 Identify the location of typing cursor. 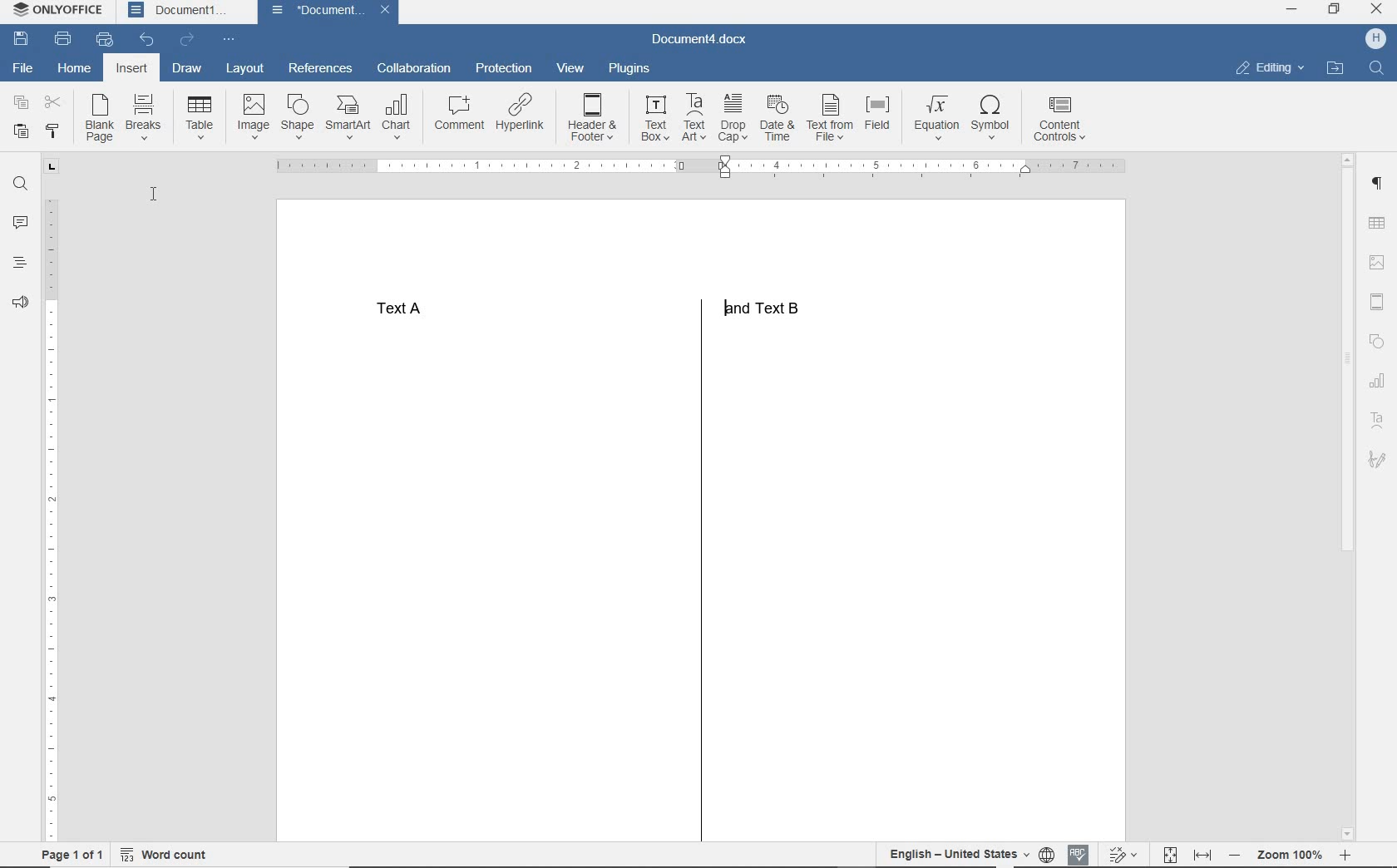
(723, 292).